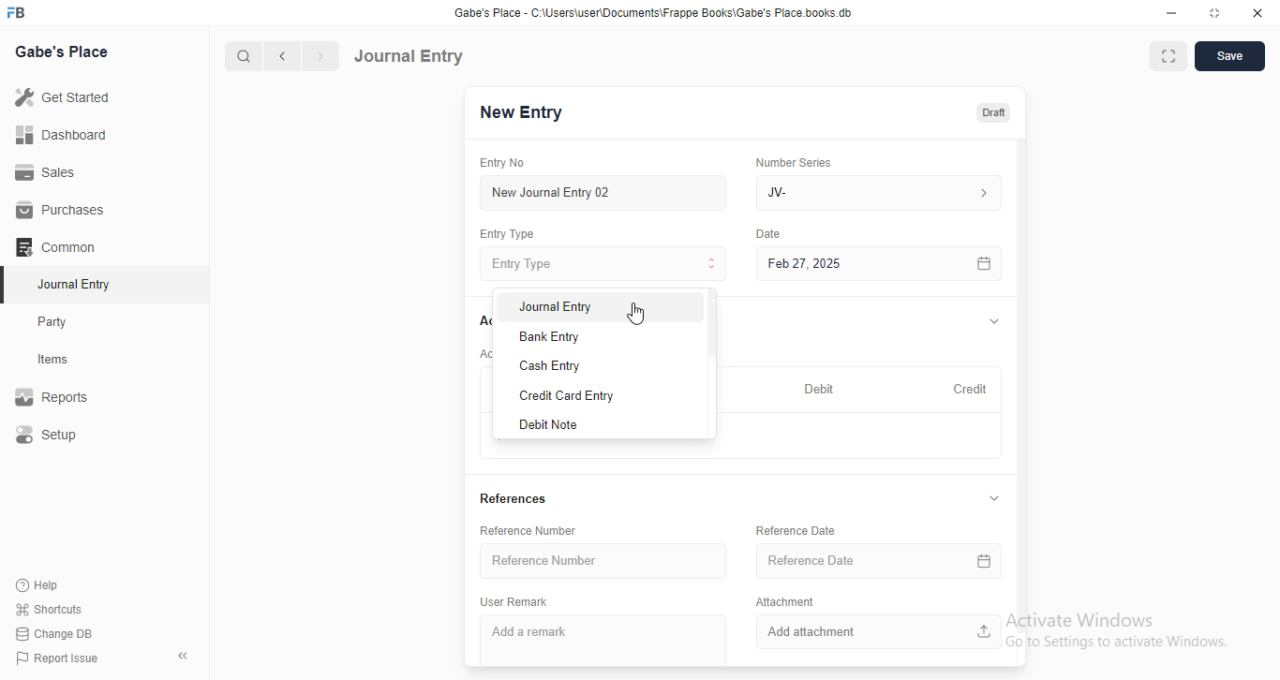  What do you see at coordinates (994, 499) in the screenshot?
I see `Hide` at bounding box center [994, 499].